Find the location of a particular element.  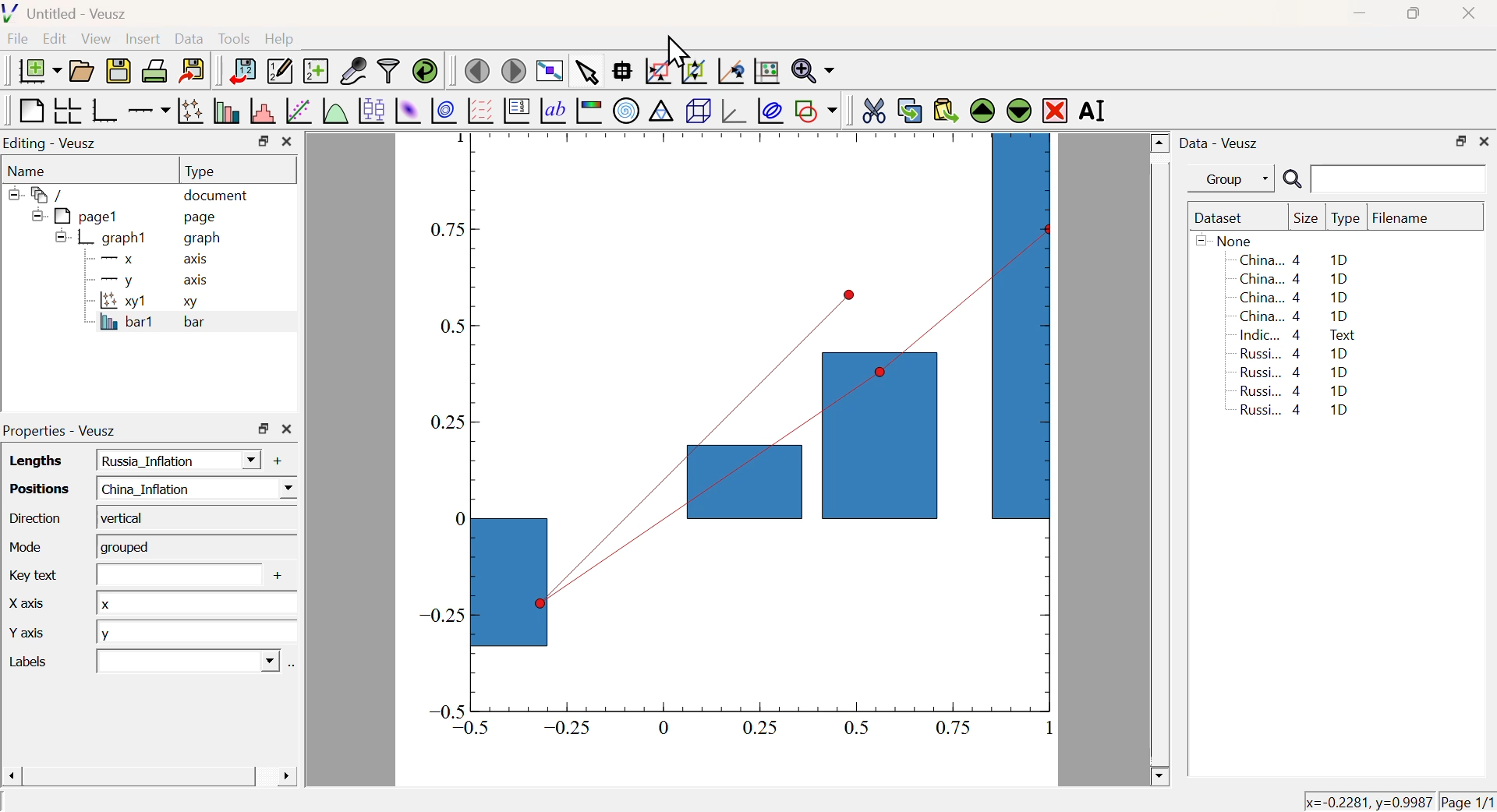

Polar Graph is located at coordinates (627, 110).